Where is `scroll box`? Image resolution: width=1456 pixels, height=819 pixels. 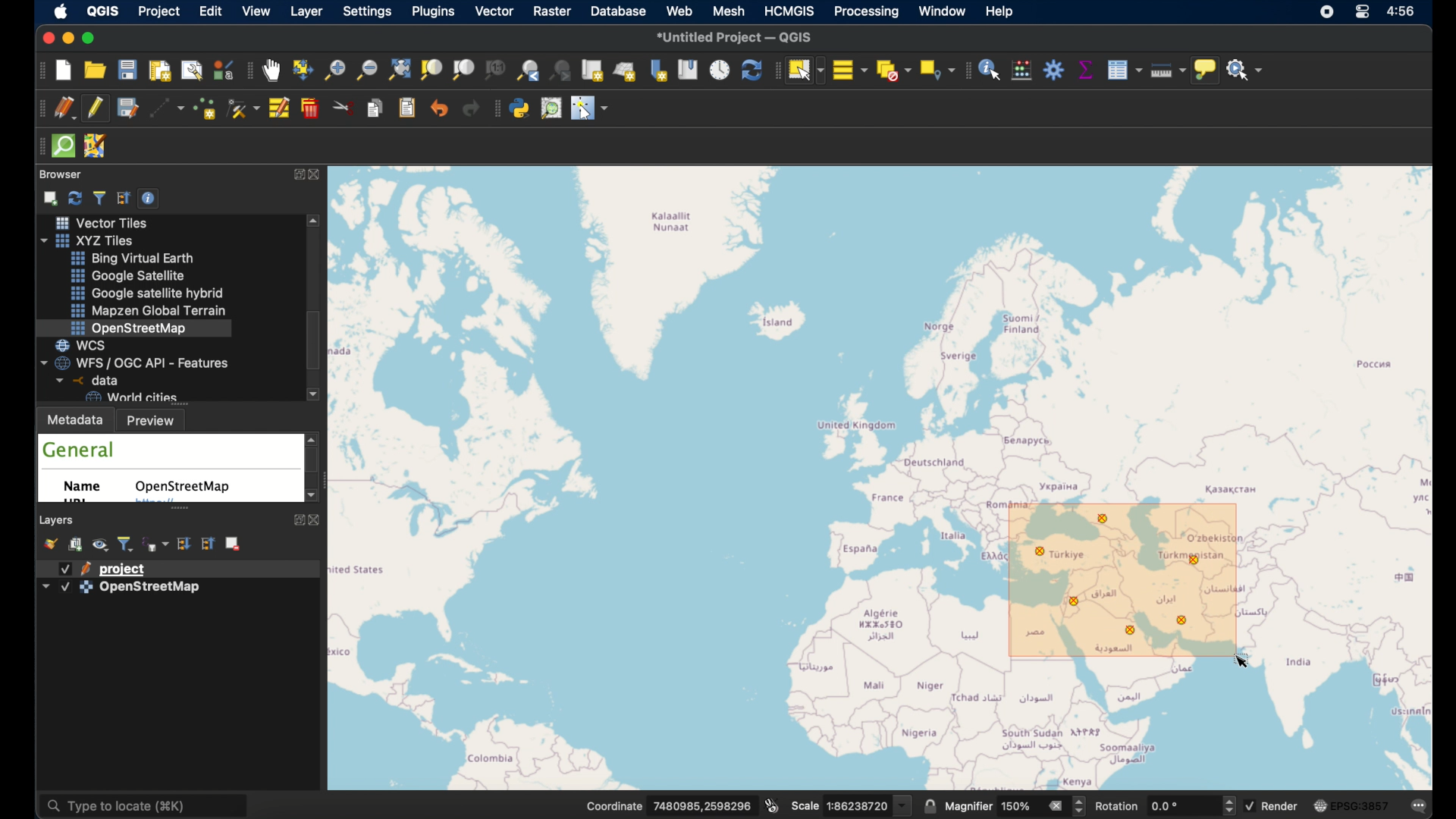 scroll box is located at coordinates (313, 463).